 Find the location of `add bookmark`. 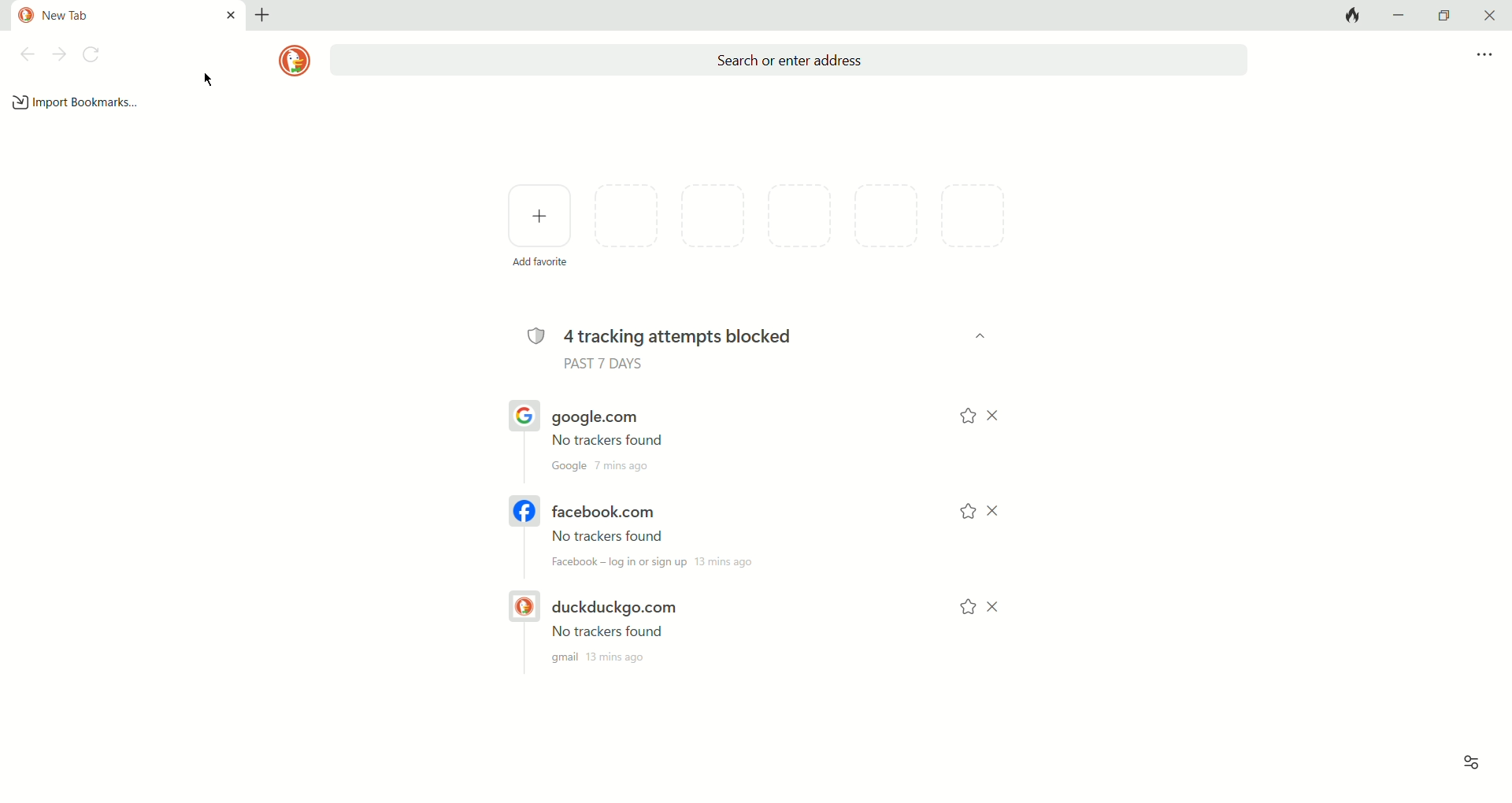

add bookmark is located at coordinates (73, 104).